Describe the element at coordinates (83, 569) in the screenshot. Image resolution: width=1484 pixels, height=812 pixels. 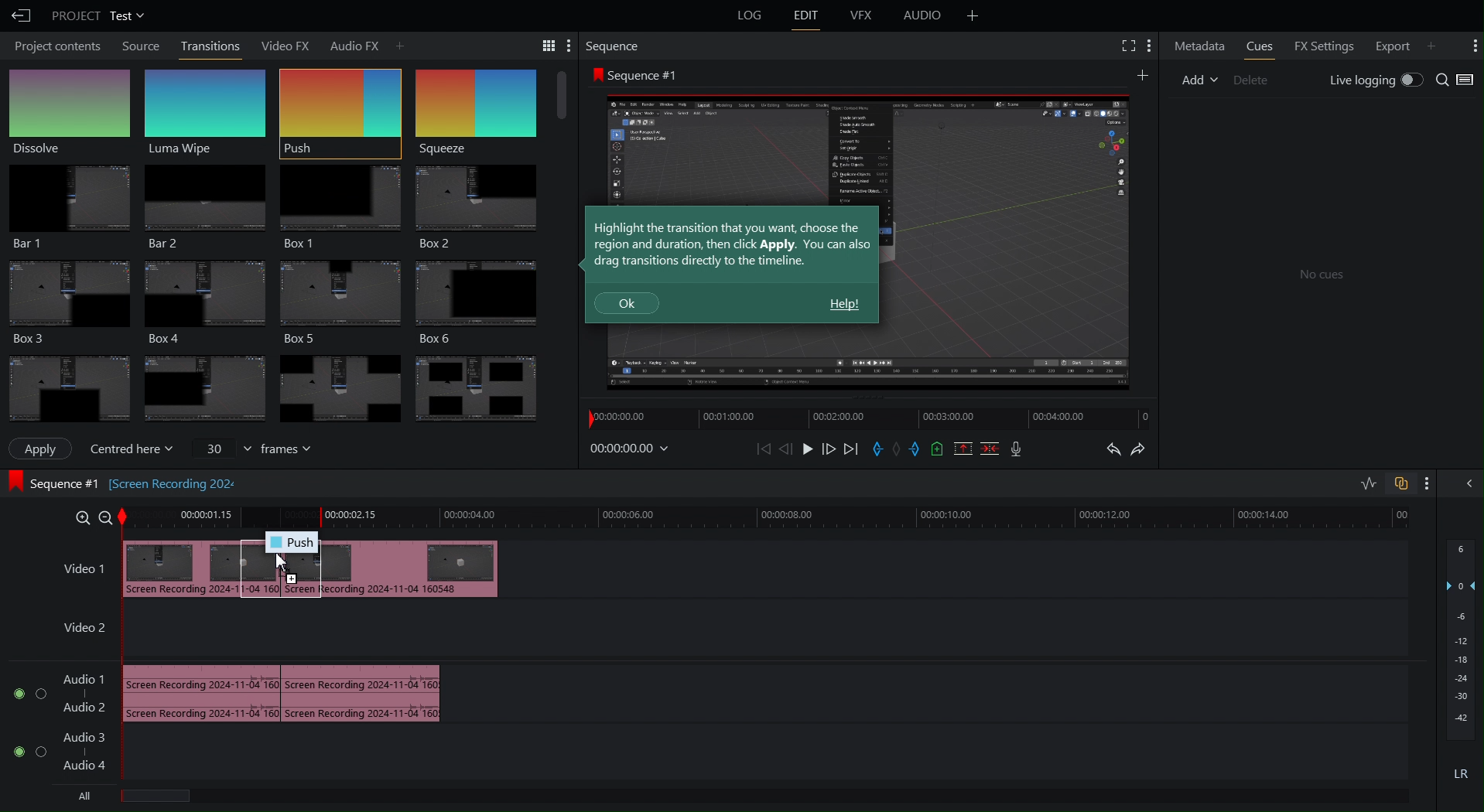
I see `Video 1` at that location.